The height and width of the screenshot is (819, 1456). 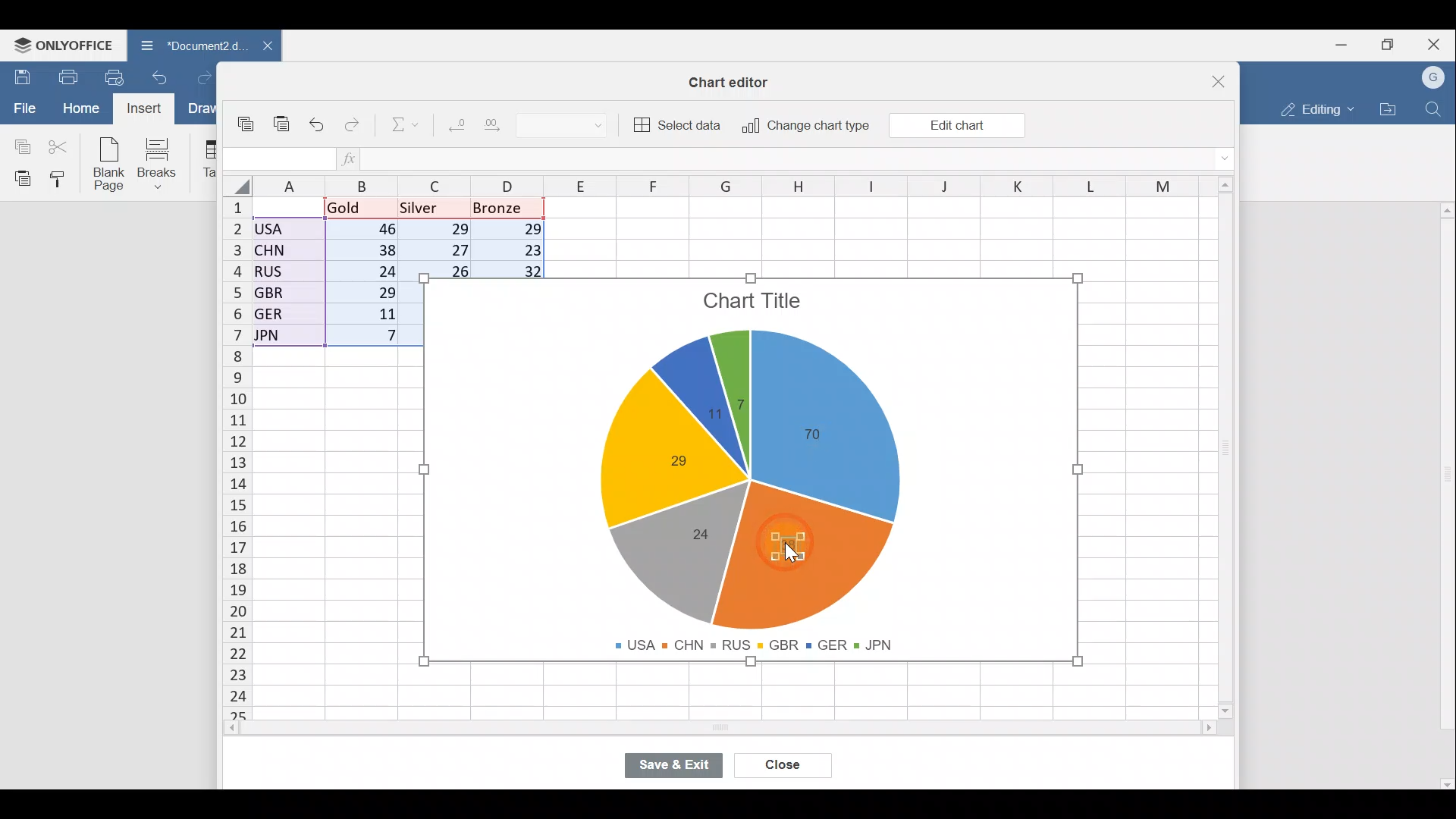 What do you see at coordinates (456, 121) in the screenshot?
I see `Decrease decimal` at bounding box center [456, 121].